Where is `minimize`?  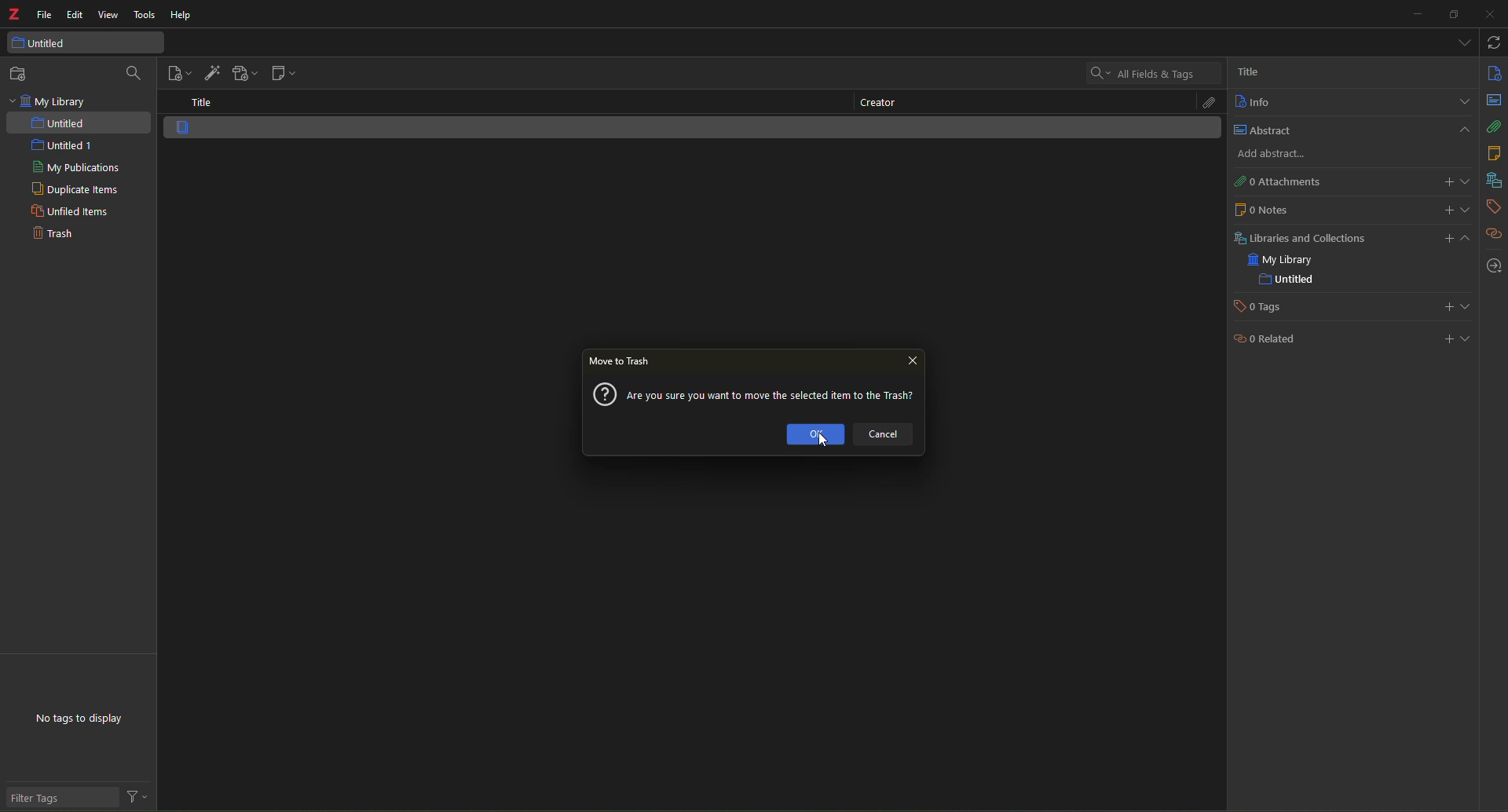
minimize is located at coordinates (1414, 14).